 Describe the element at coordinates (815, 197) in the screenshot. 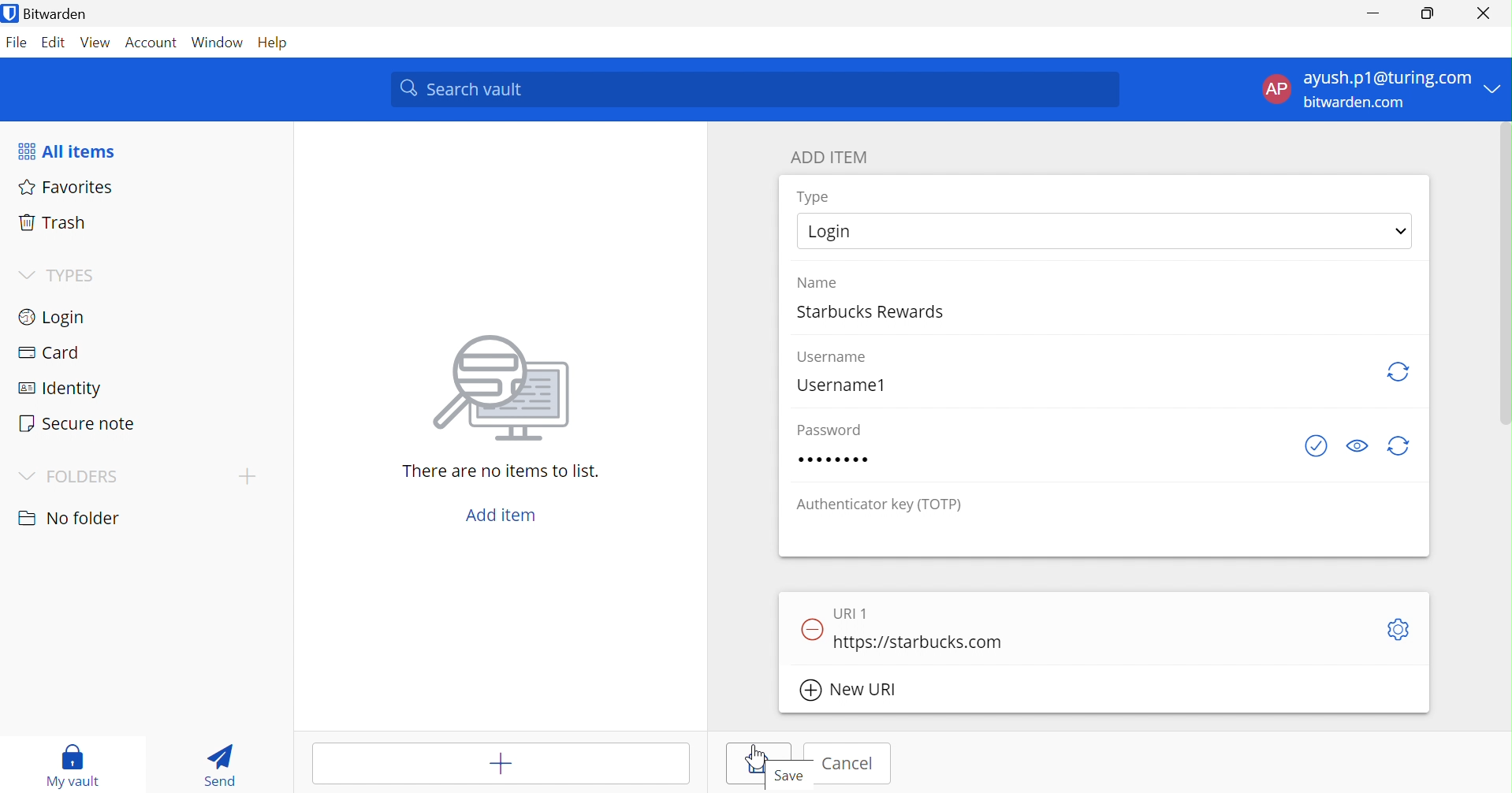

I see `Type` at that location.